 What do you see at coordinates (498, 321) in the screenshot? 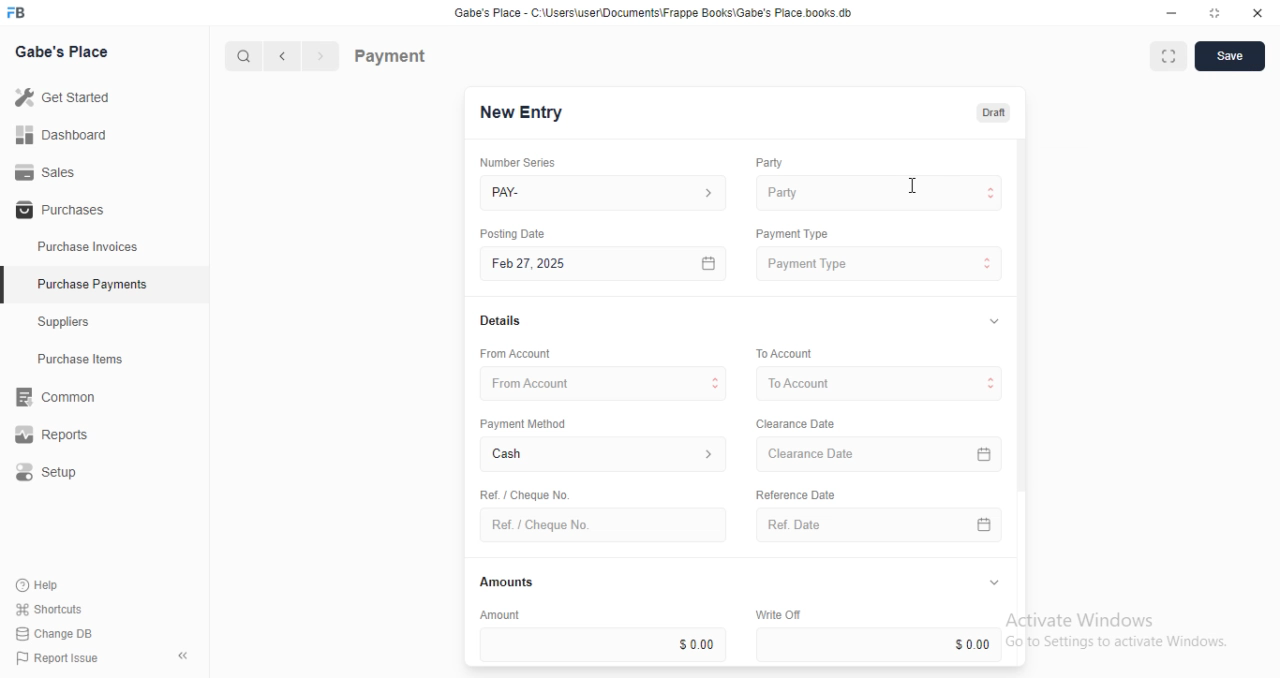
I see `Details` at bounding box center [498, 321].